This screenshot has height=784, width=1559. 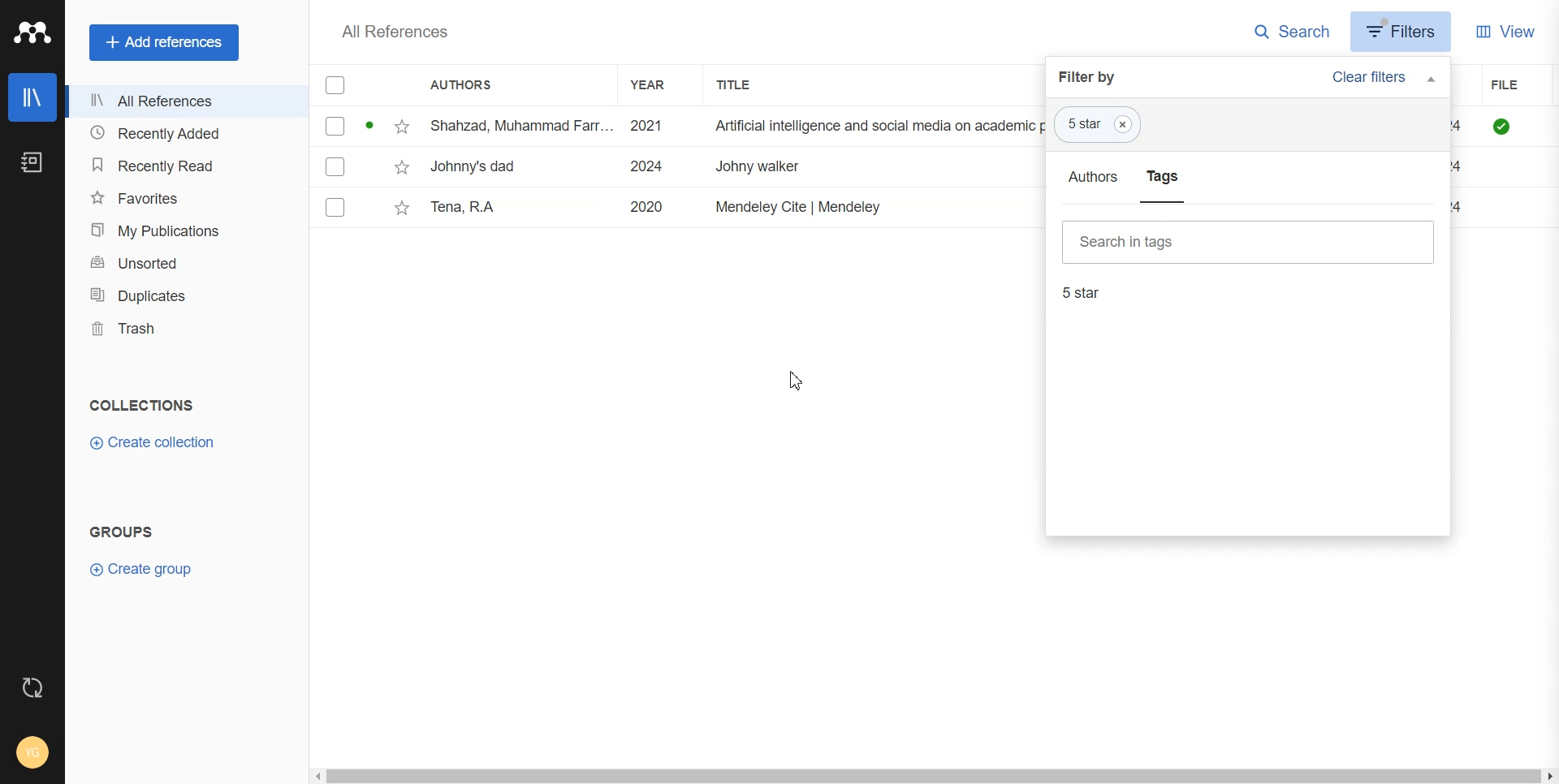 What do you see at coordinates (1385, 77) in the screenshot?
I see `Clear filters` at bounding box center [1385, 77].